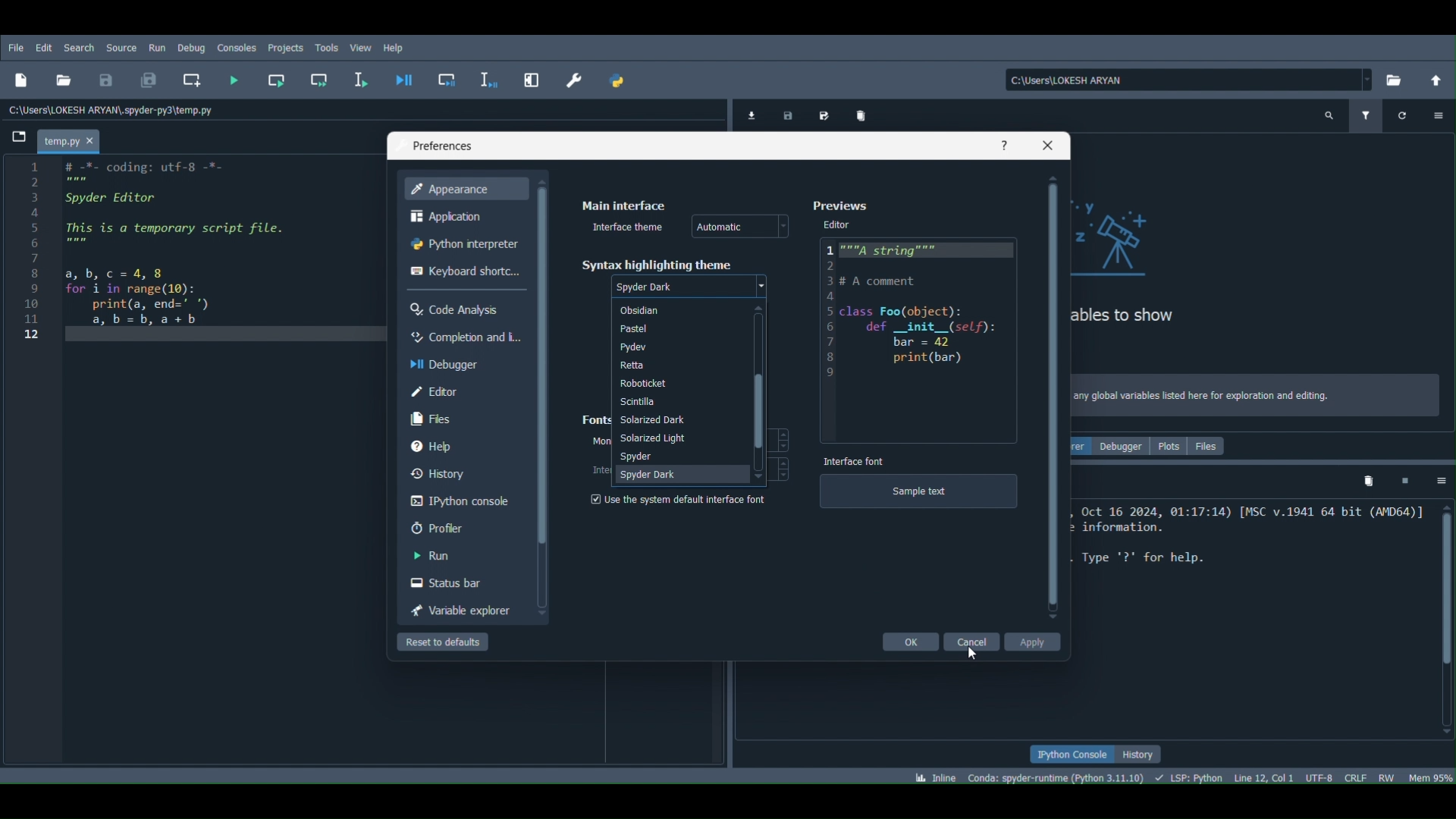  Describe the element at coordinates (184, 268) in the screenshot. I see `BEF Reet ae SARE ESSOS
PR
3 Spyder Editor
a
5 This is a temporary script file.
6 me
7
8 a bc=428
9 for i in range(10):
10 print(a, end=" ')
1 a,b=b, a+b
12` at that location.